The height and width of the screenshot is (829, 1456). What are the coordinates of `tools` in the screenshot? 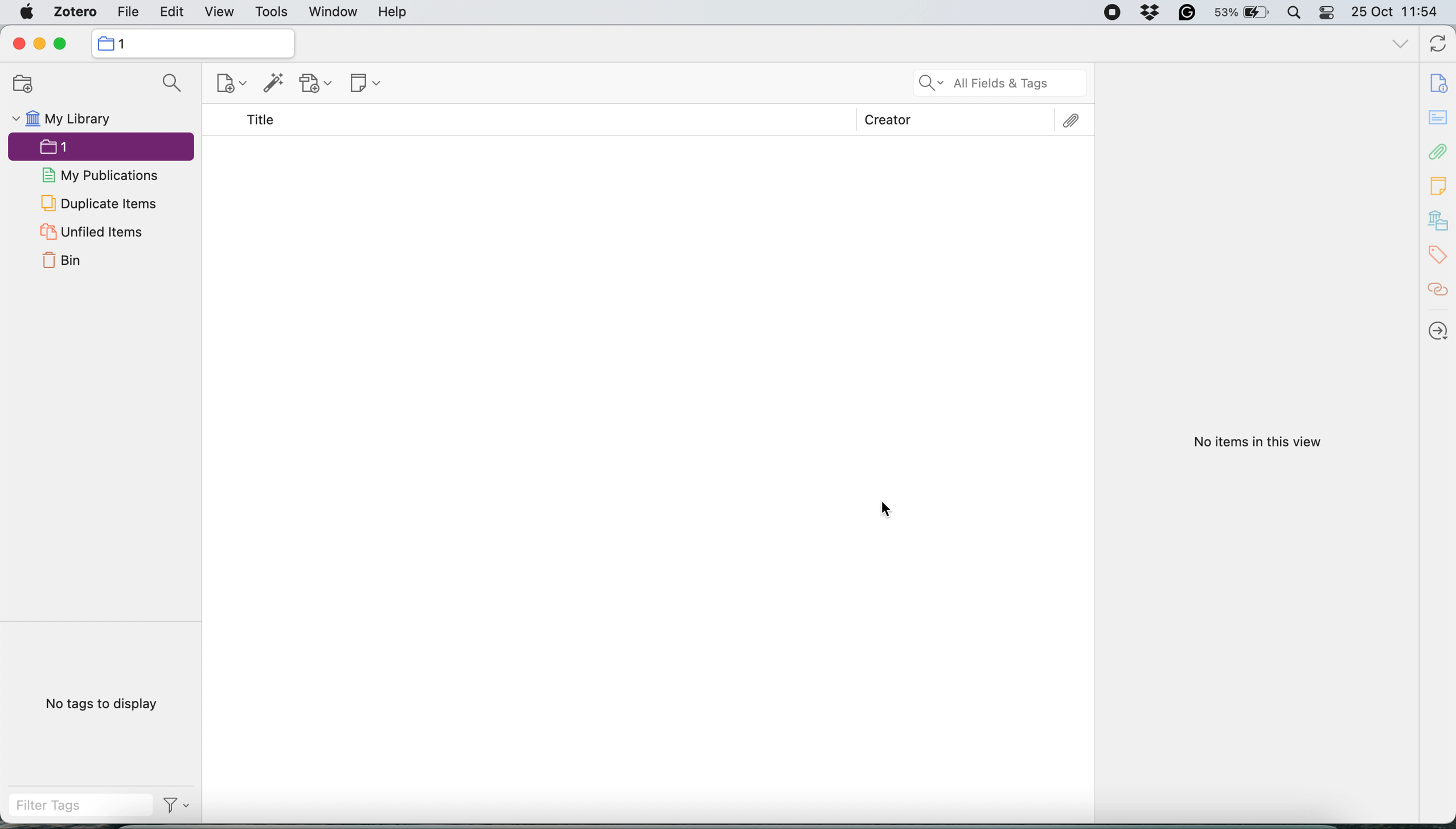 It's located at (269, 11).